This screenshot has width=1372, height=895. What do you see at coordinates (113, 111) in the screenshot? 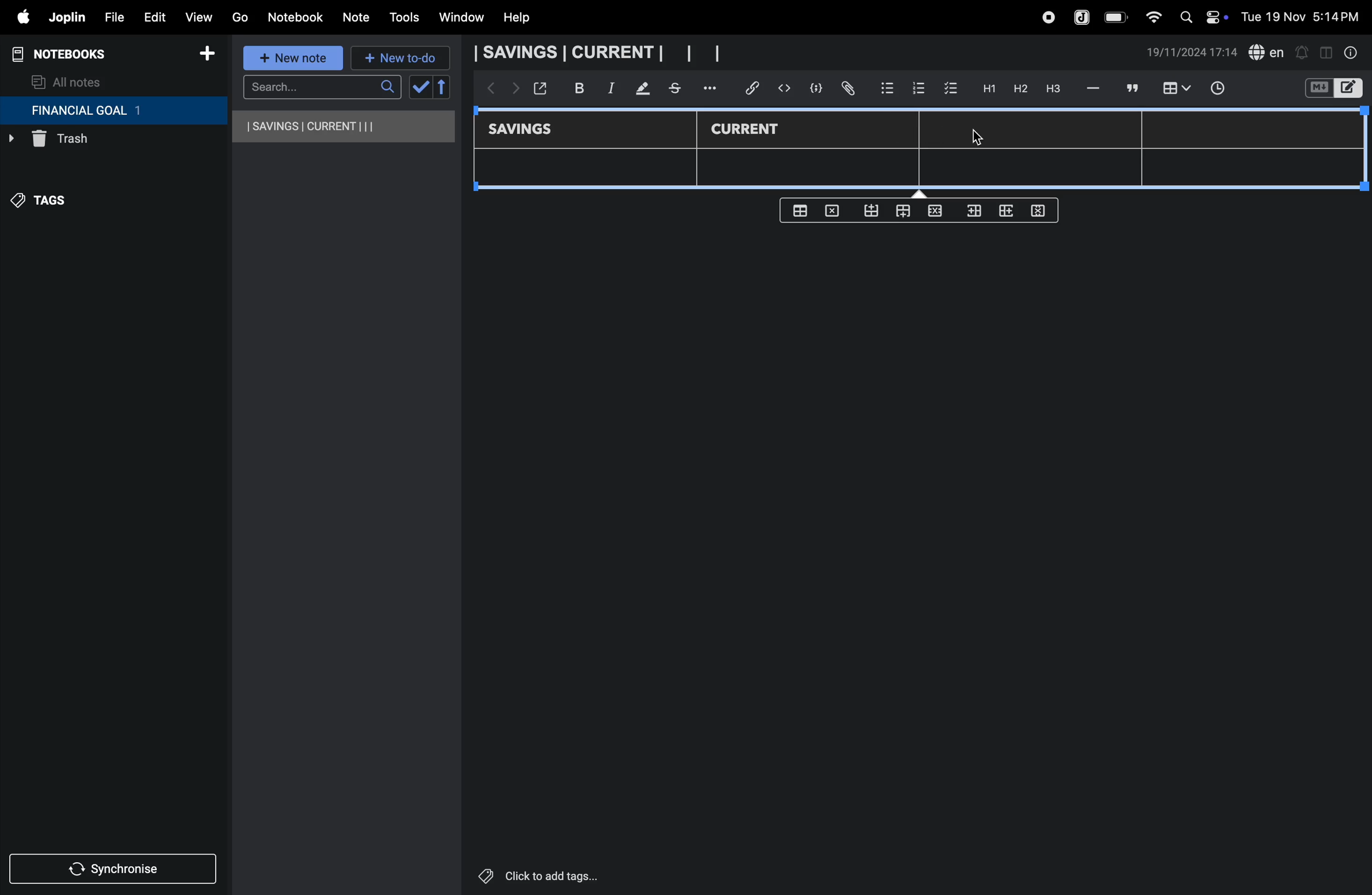
I see `financial goal` at bounding box center [113, 111].